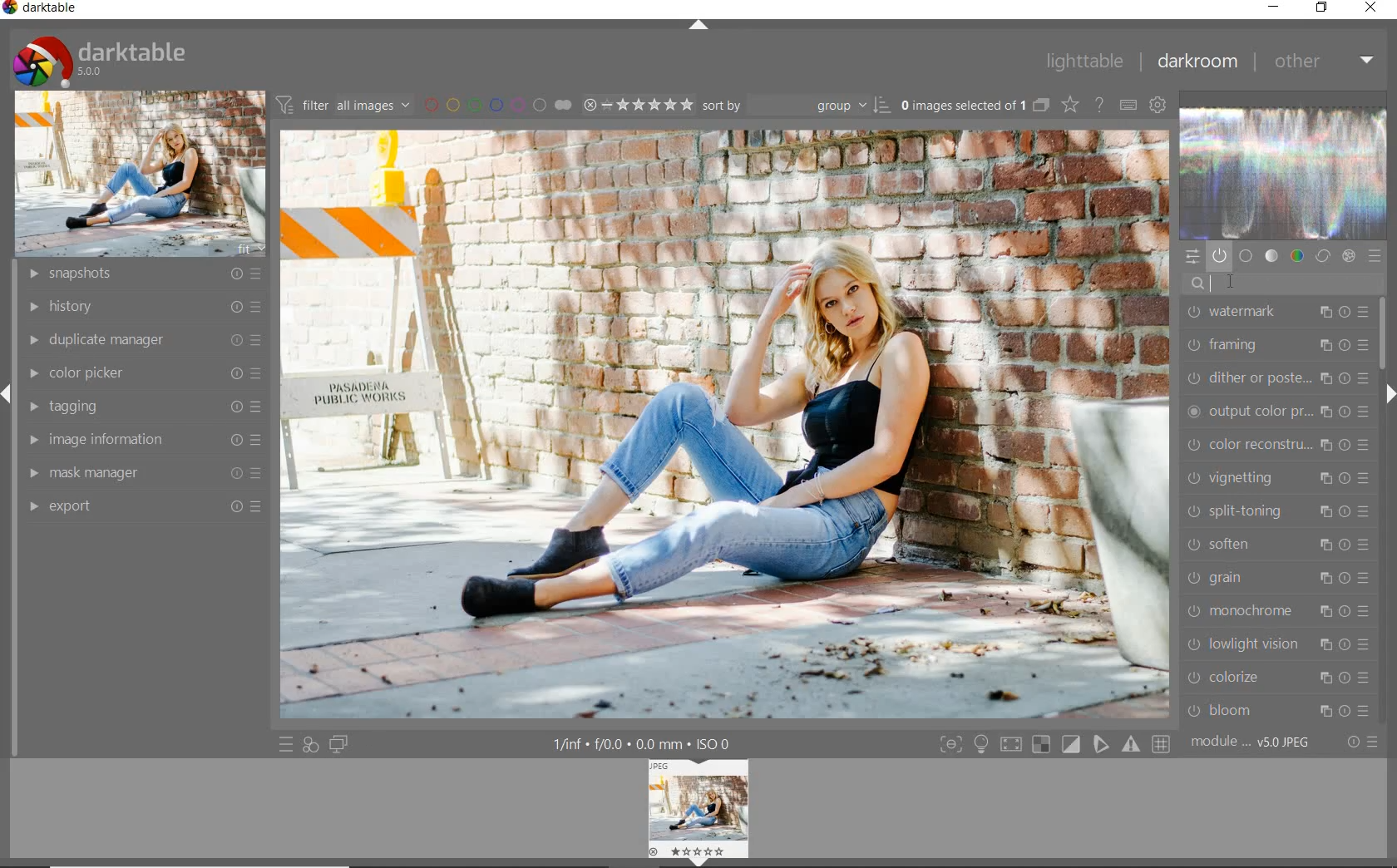  Describe the element at coordinates (141, 174) in the screenshot. I see `image` at that location.